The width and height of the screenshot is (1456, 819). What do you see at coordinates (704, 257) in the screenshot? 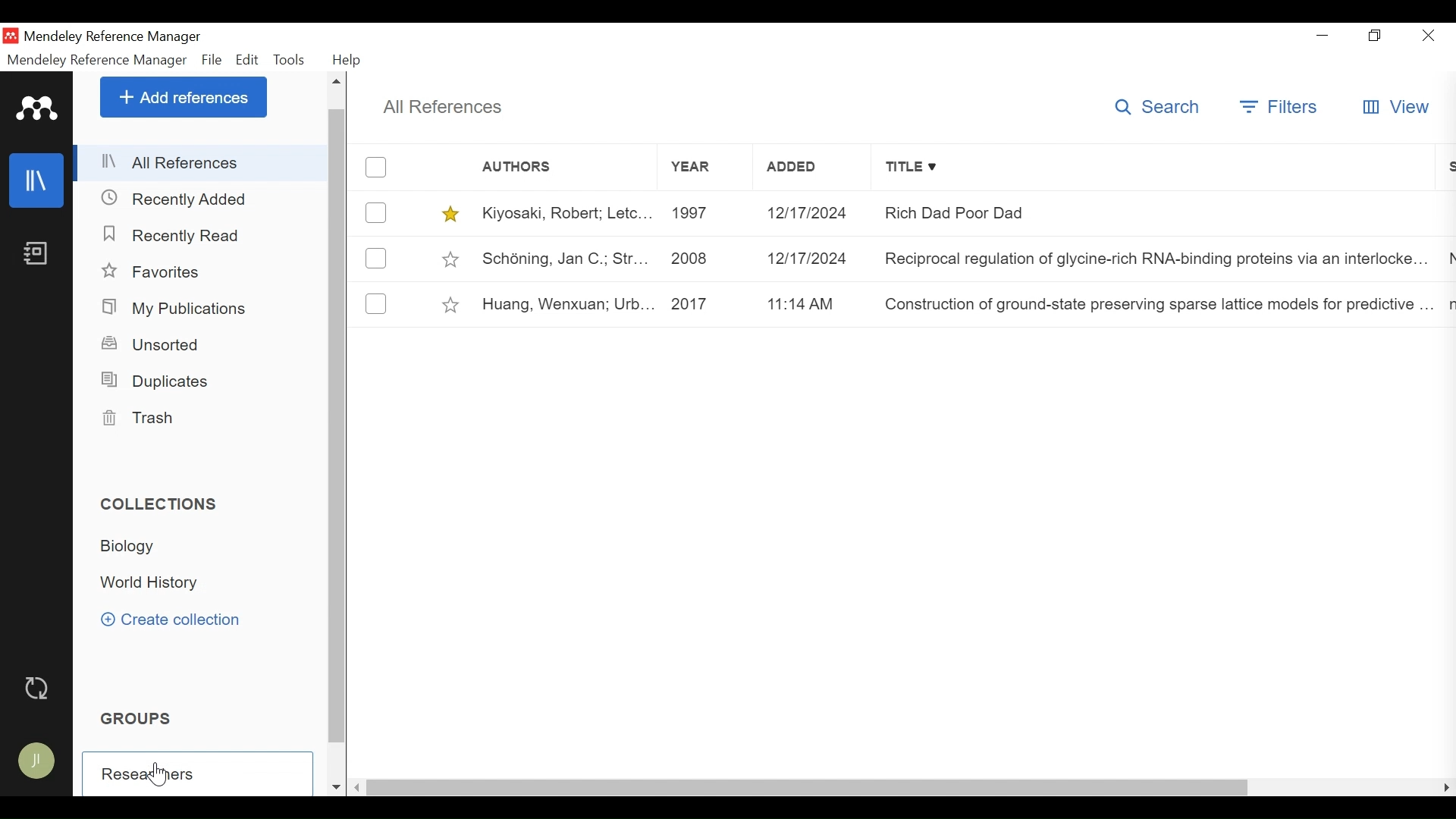
I see `2008` at bounding box center [704, 257].